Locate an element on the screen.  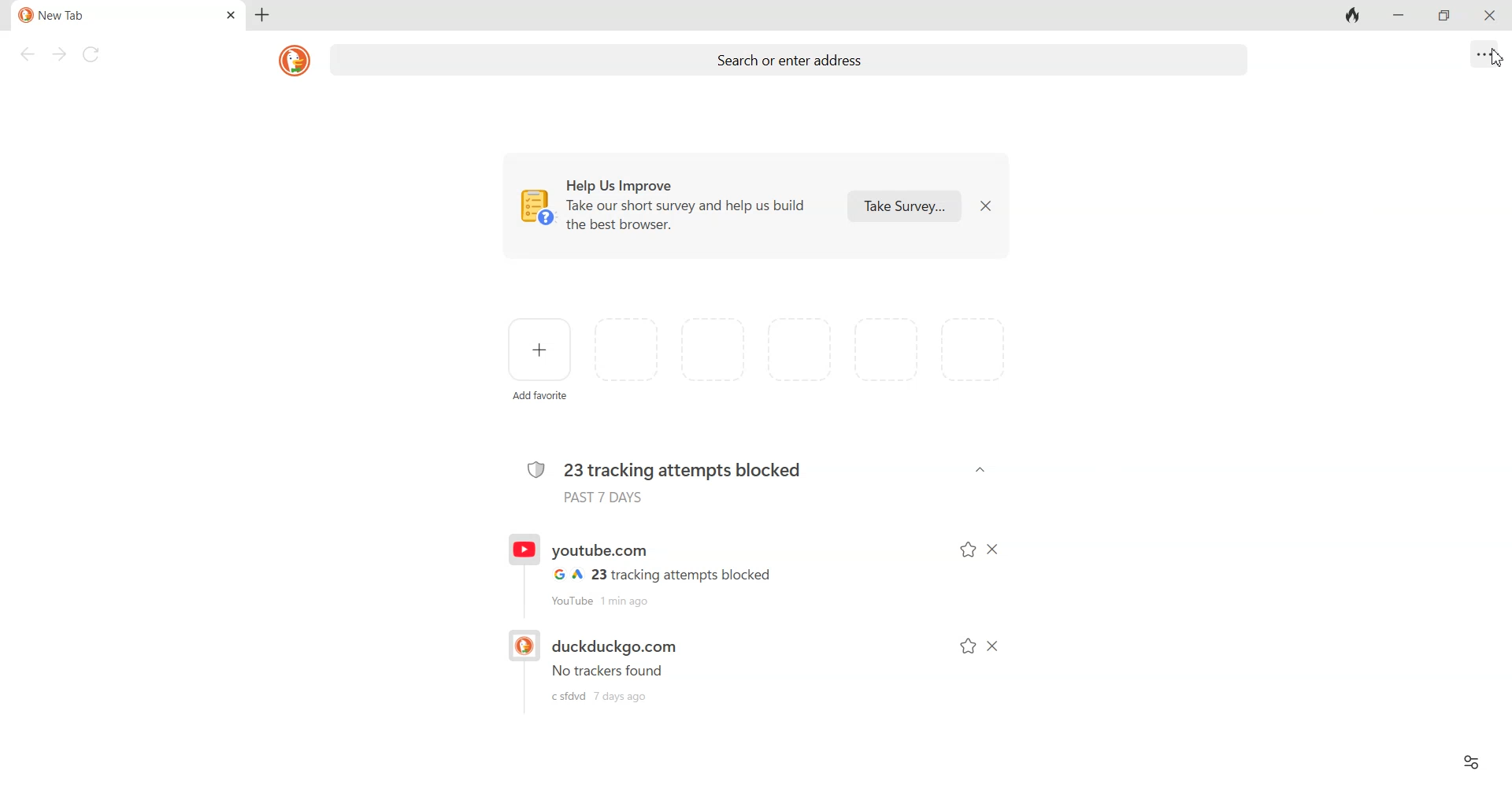
Forward is located at coordinates (57, 54).